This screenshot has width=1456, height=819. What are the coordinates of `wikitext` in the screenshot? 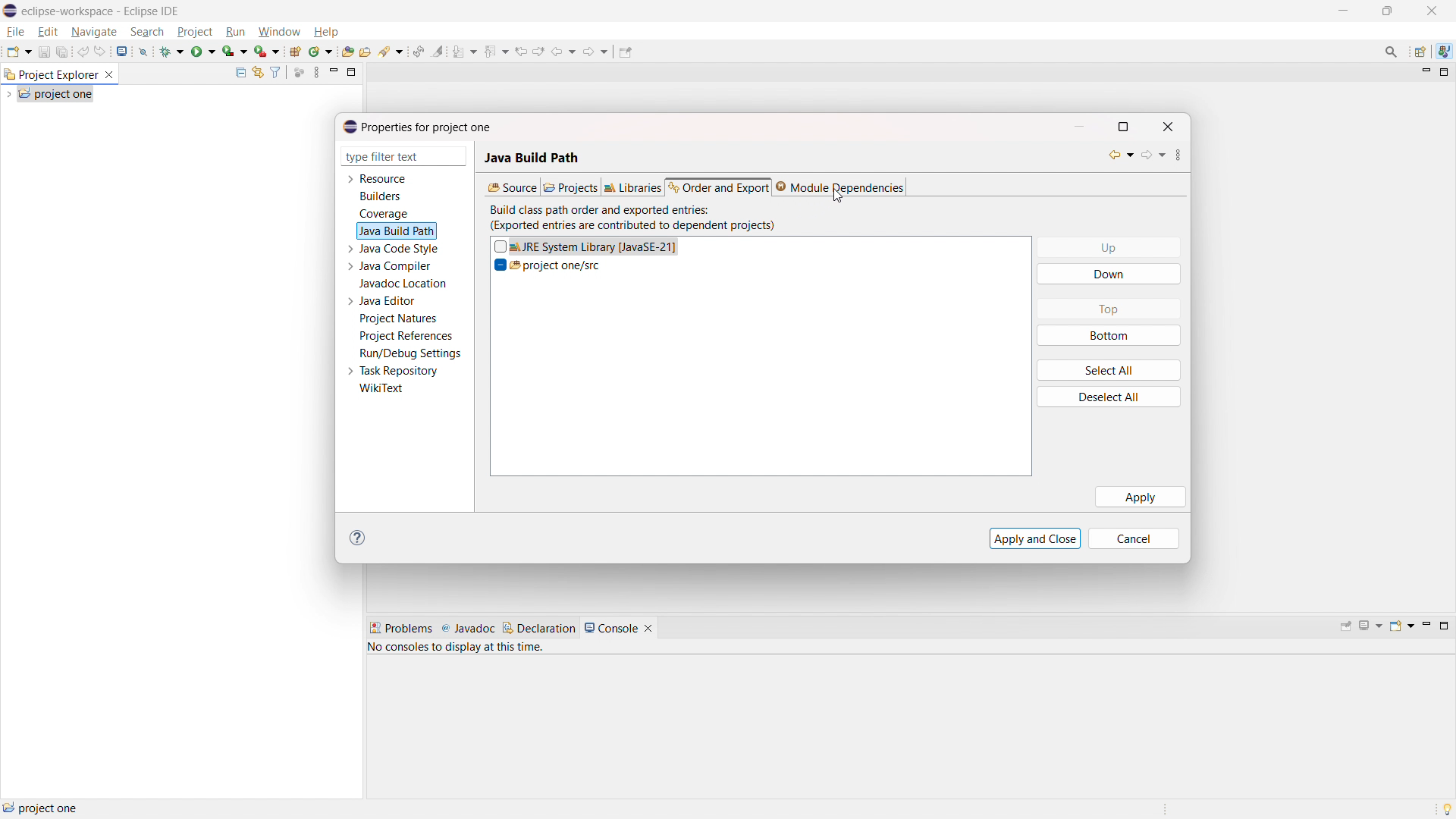 It's located at (382, 389).